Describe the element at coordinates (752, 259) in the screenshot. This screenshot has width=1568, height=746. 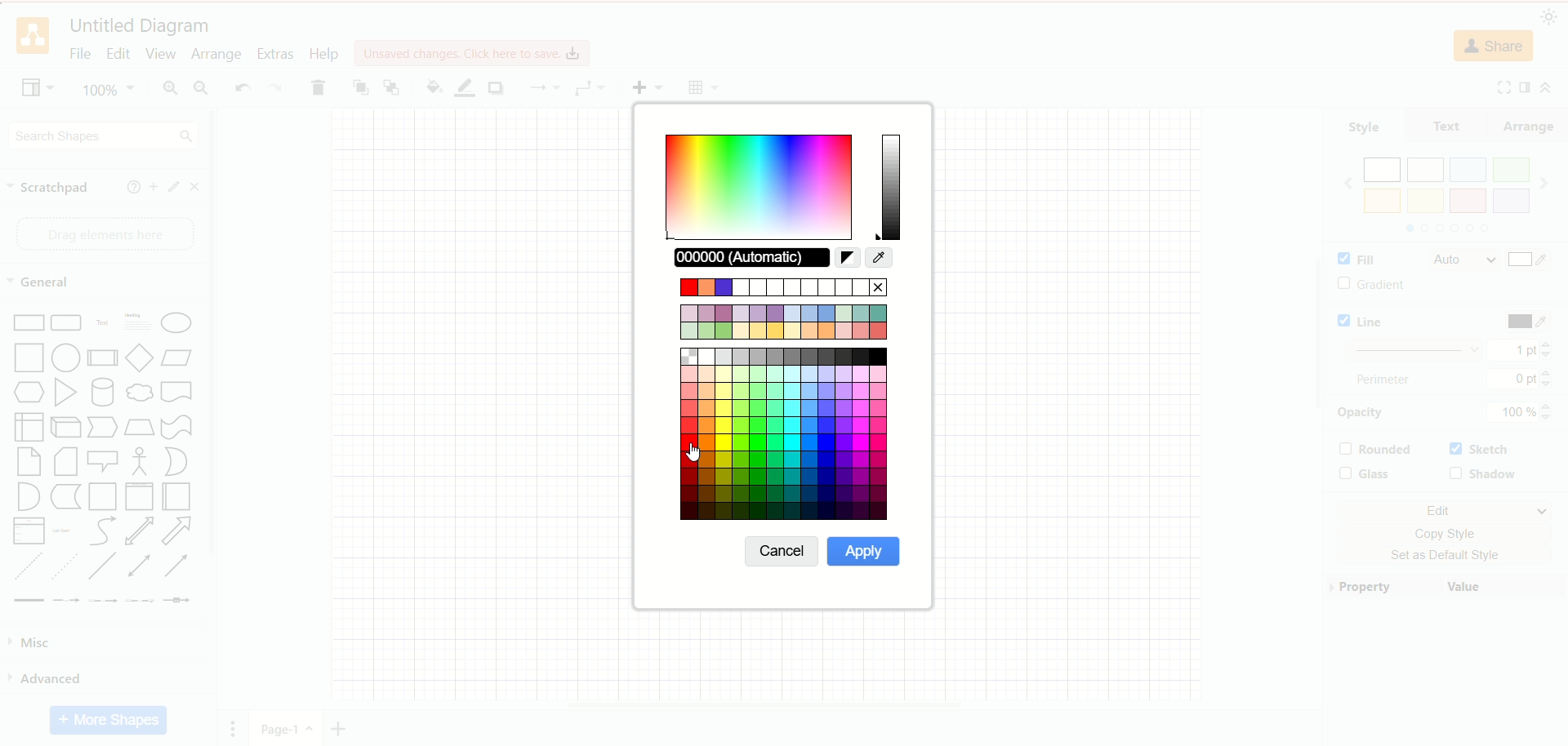
I see `automatic` at that location.